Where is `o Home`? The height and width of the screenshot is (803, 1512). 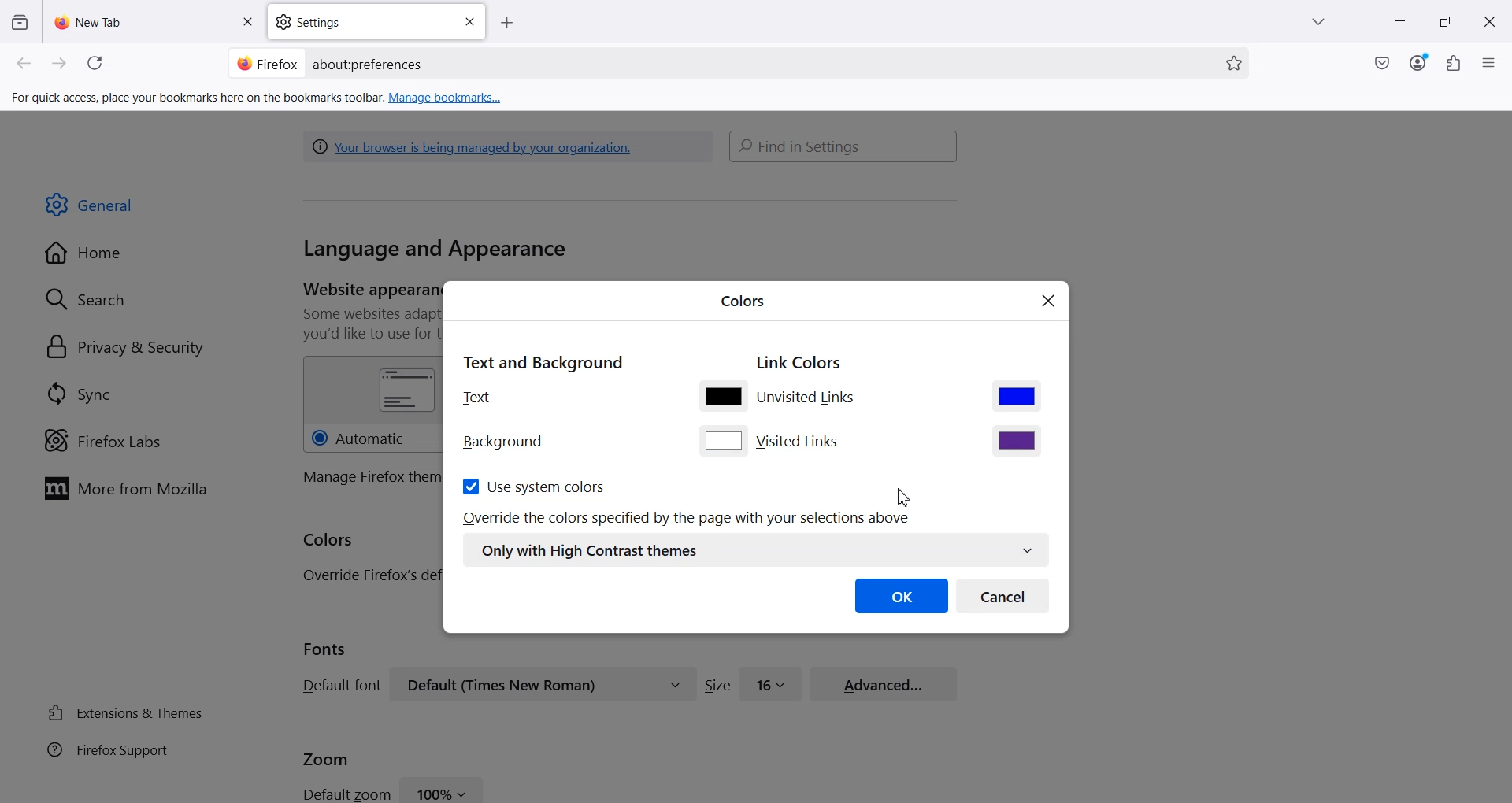
o Home is located at coordinates (85, 253).